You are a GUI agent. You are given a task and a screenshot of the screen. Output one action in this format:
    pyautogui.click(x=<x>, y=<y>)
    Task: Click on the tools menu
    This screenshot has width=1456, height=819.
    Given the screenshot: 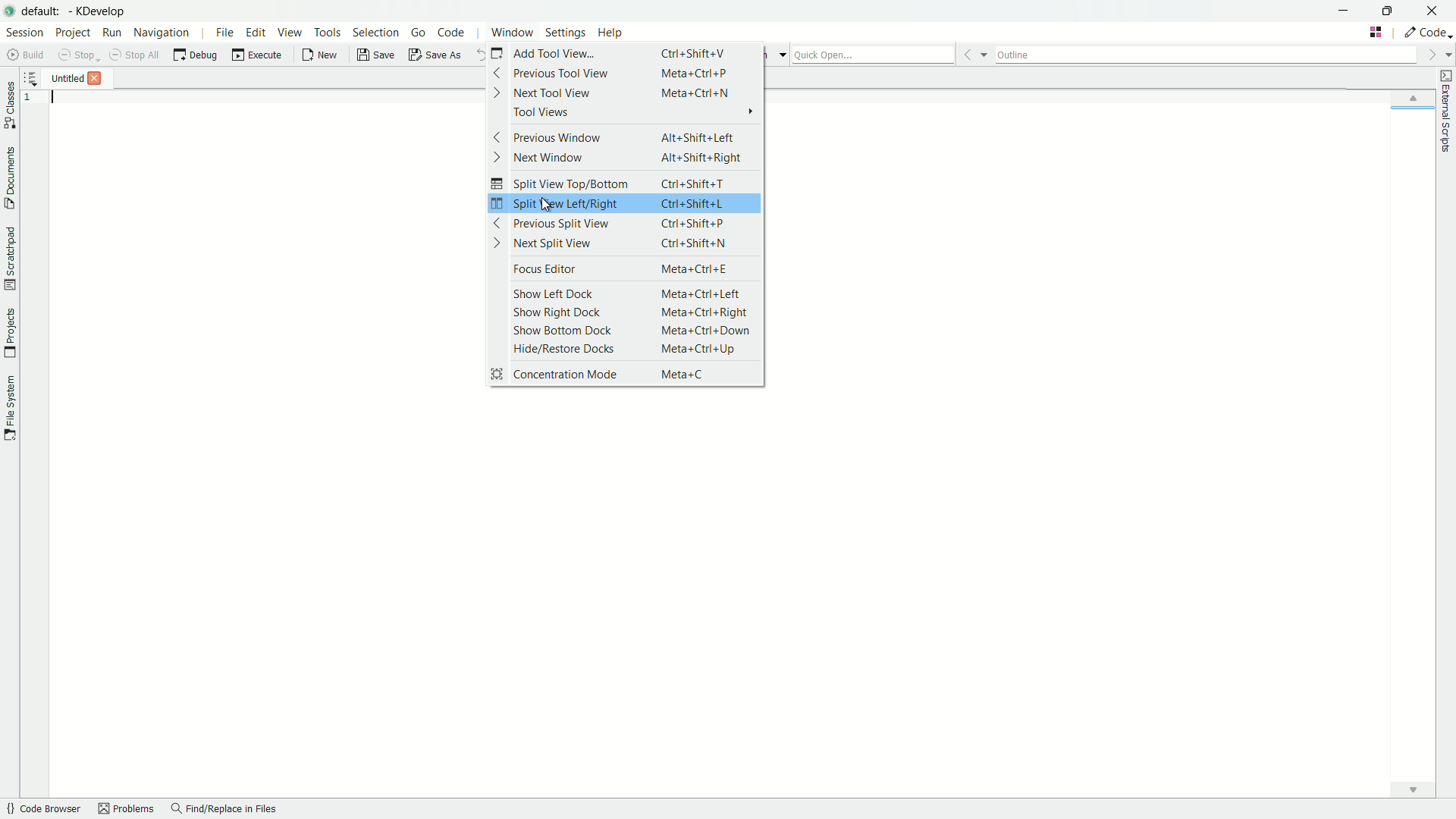 What is the action you would take?
    pyautogui.click(x=327, y=32)
    